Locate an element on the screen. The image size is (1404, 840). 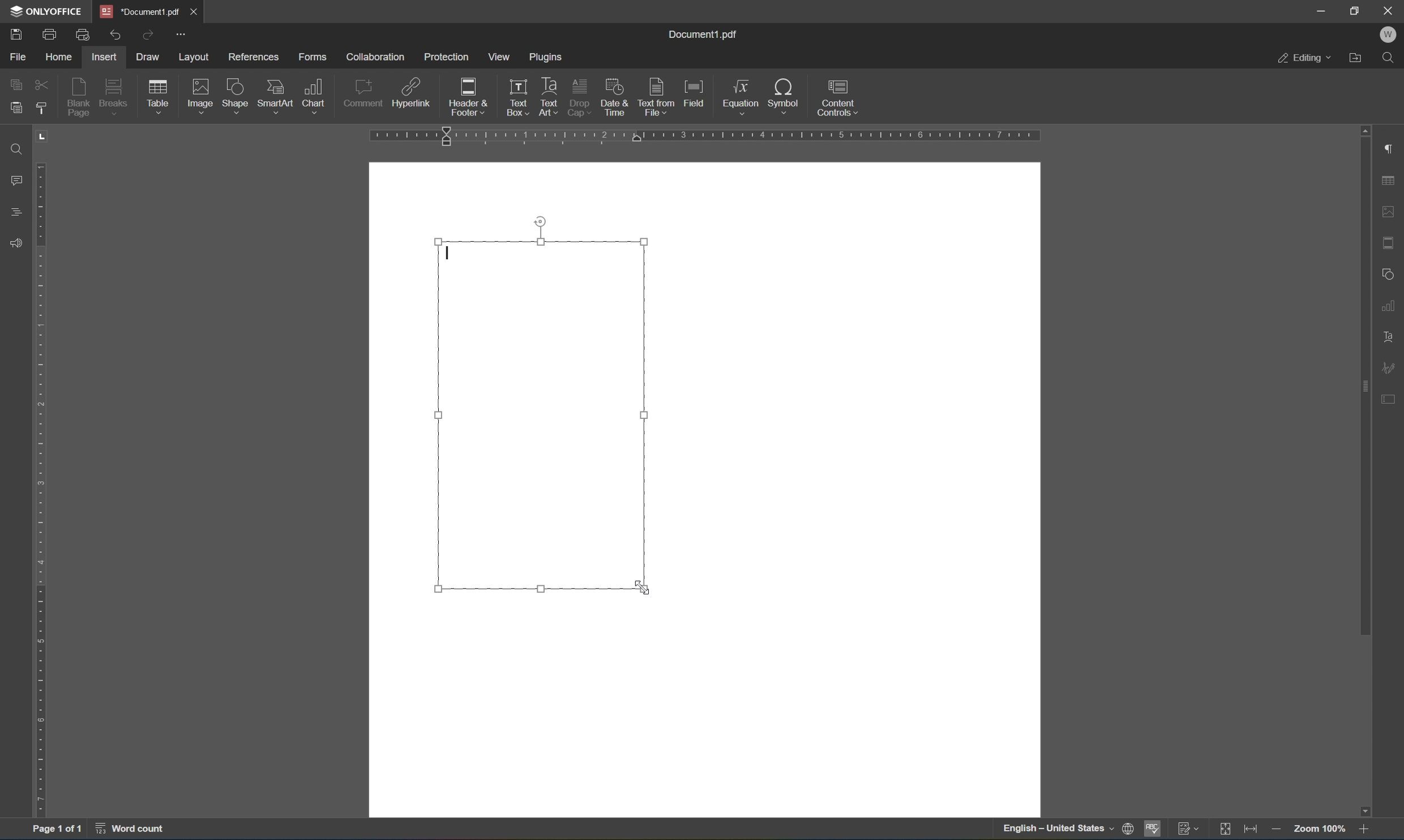
Save is located at coordinates (17, 35).